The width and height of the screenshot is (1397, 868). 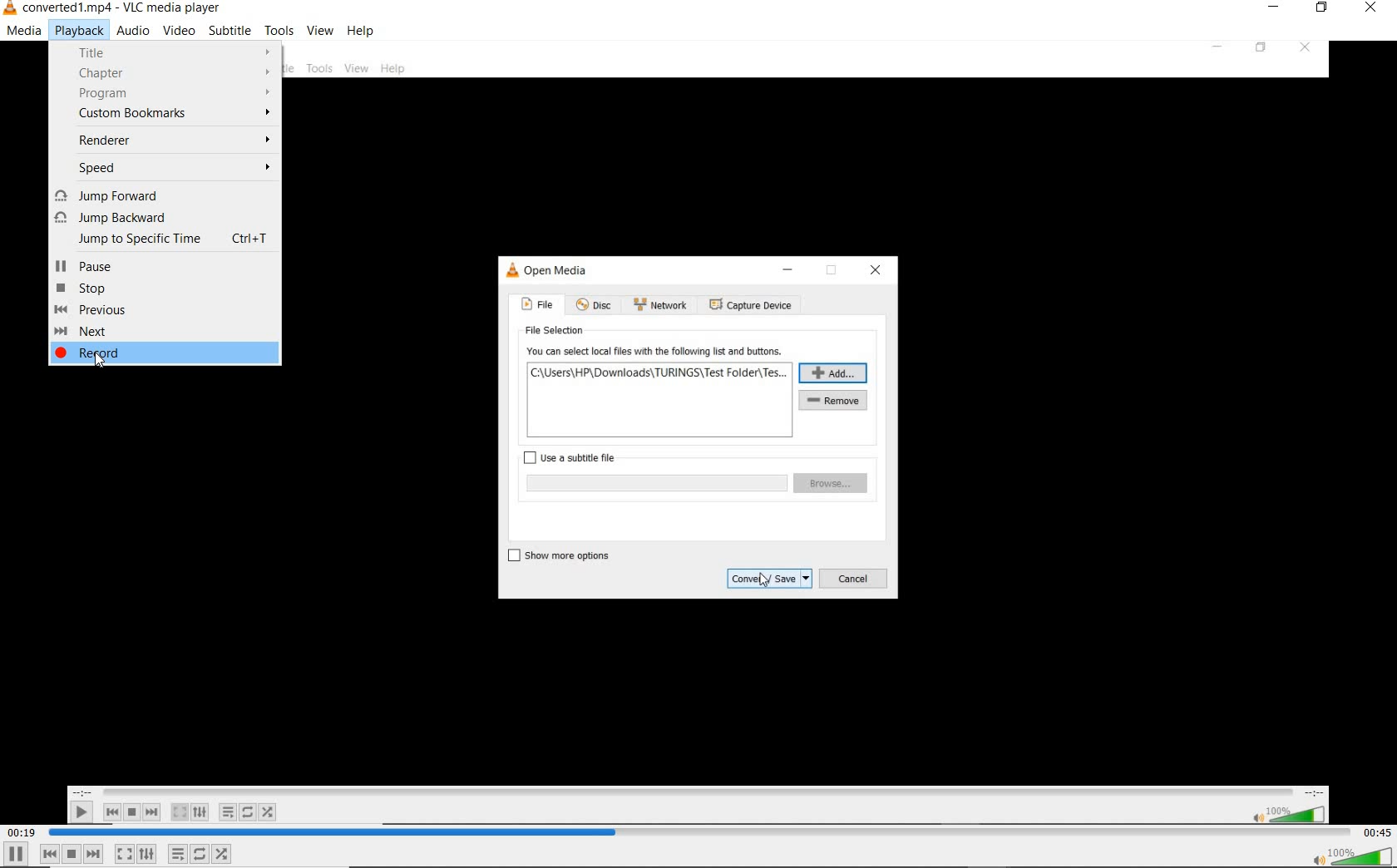 What do you see at coordinates (22, 832) in the screenshot?
I see `elapsed time` at bounding box center [22, 832].